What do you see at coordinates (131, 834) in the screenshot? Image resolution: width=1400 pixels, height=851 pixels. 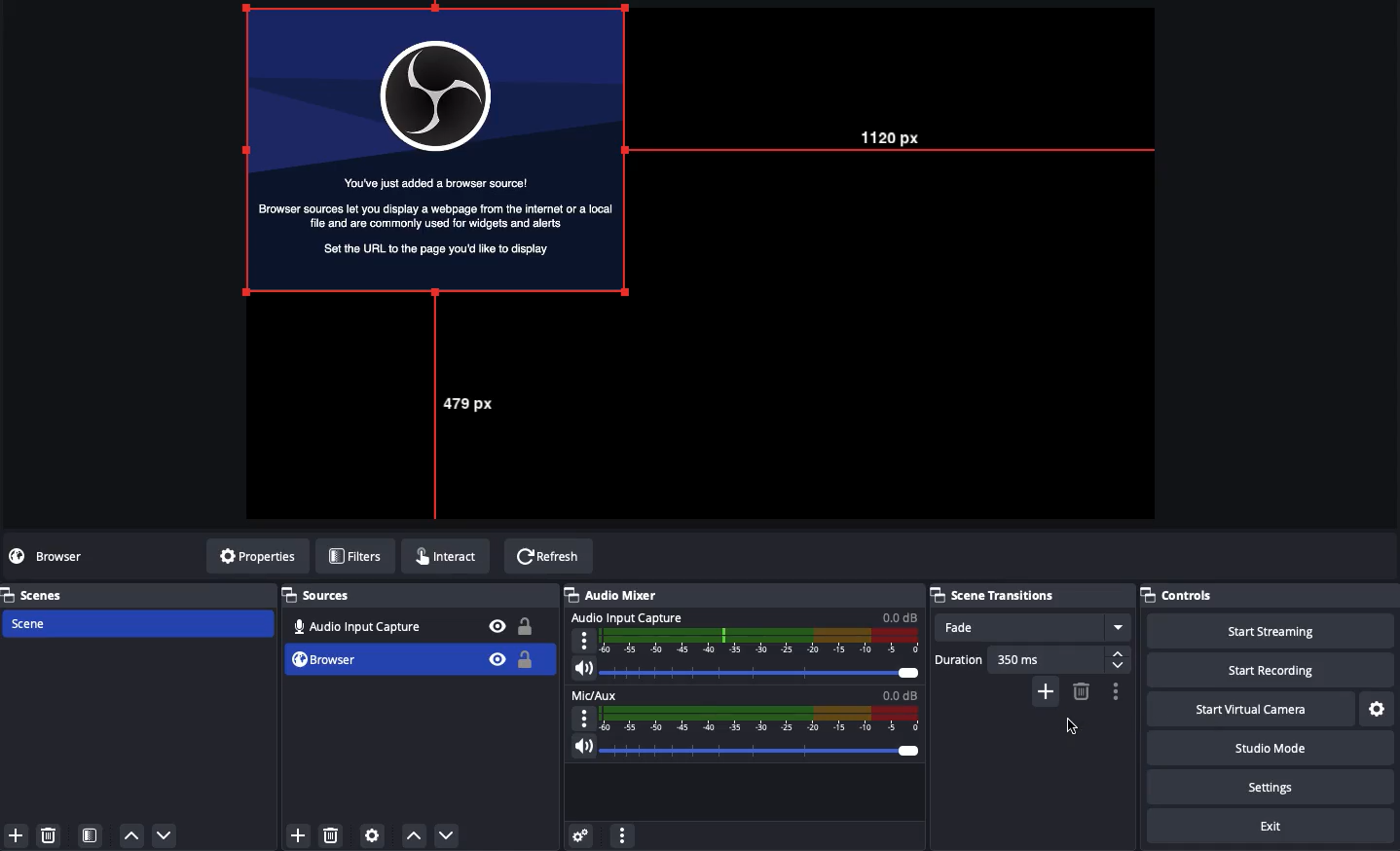 I see `up` at bounding box center [131, 834].